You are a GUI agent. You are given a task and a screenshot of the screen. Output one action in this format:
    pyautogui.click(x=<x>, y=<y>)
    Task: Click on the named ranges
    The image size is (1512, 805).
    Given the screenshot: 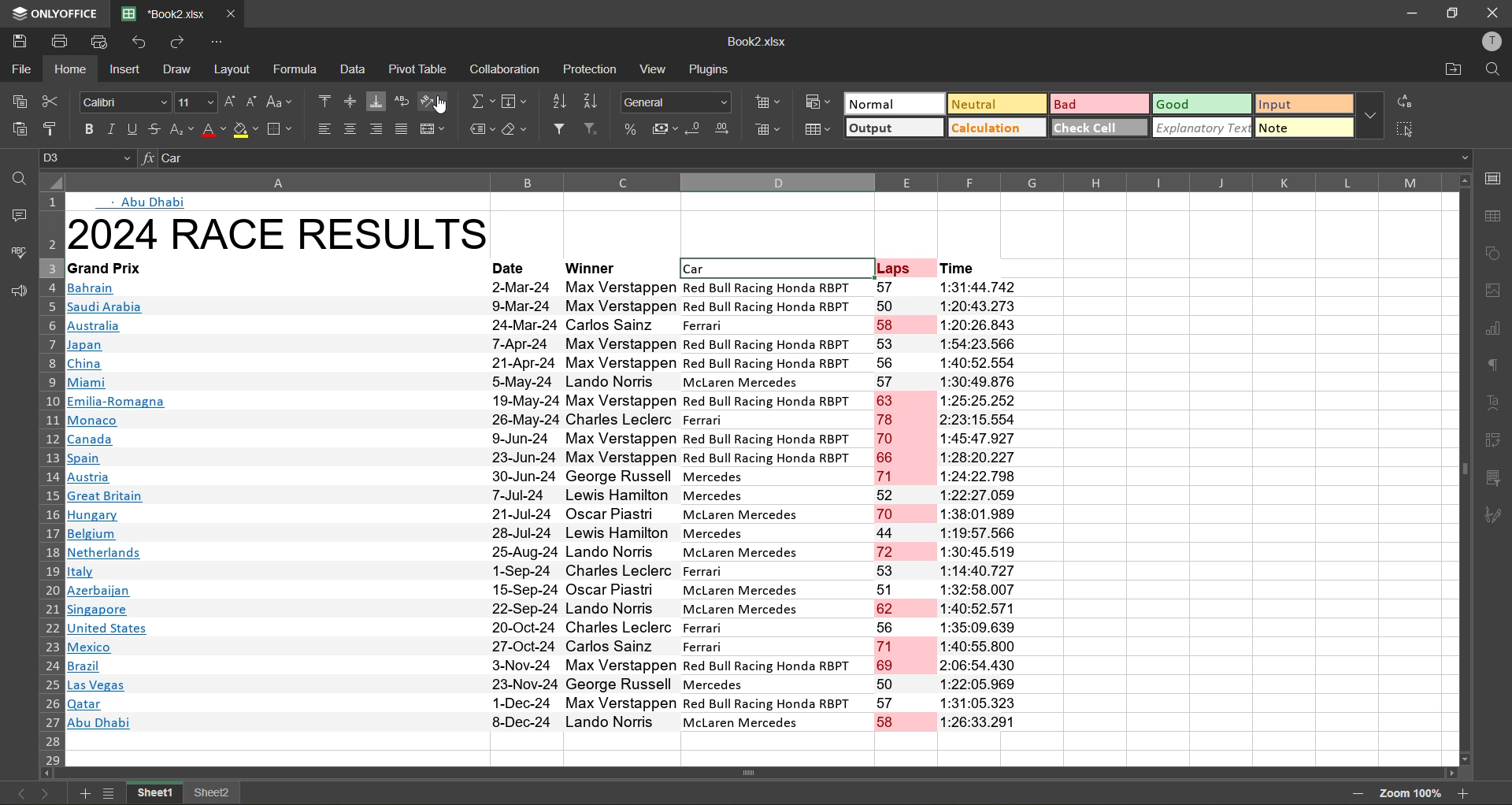 What is the action you would take?
    pyautogui.click(x=481, y=129)
    